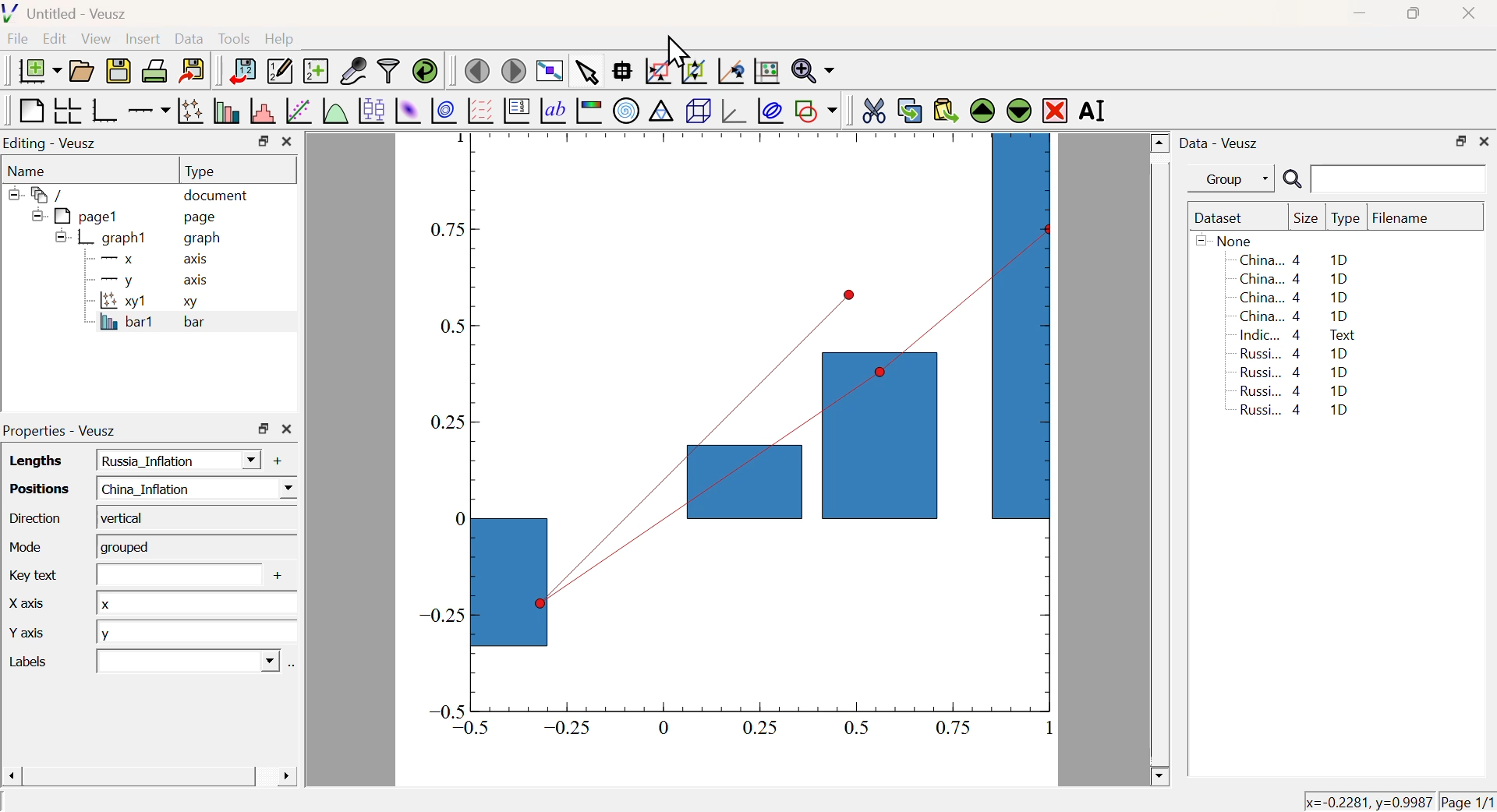 This screenshot has height=812, width=1497. What do you see at coordinates (193, 633) in the screenshot?
I see `y` at bounding box center [193, 633].